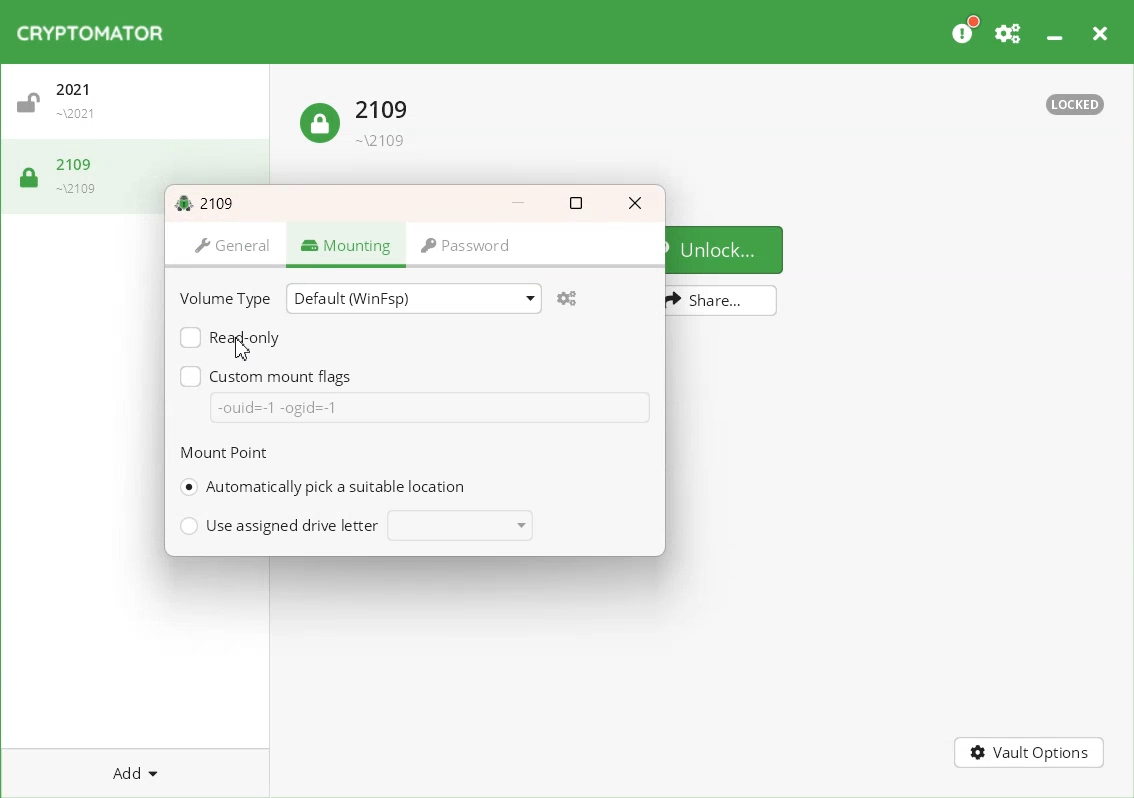 The image size is (1134, 798). What do you see at coordinates (278, 407) in the screenshot?
I see `Text` at bounding box center [278, 407].